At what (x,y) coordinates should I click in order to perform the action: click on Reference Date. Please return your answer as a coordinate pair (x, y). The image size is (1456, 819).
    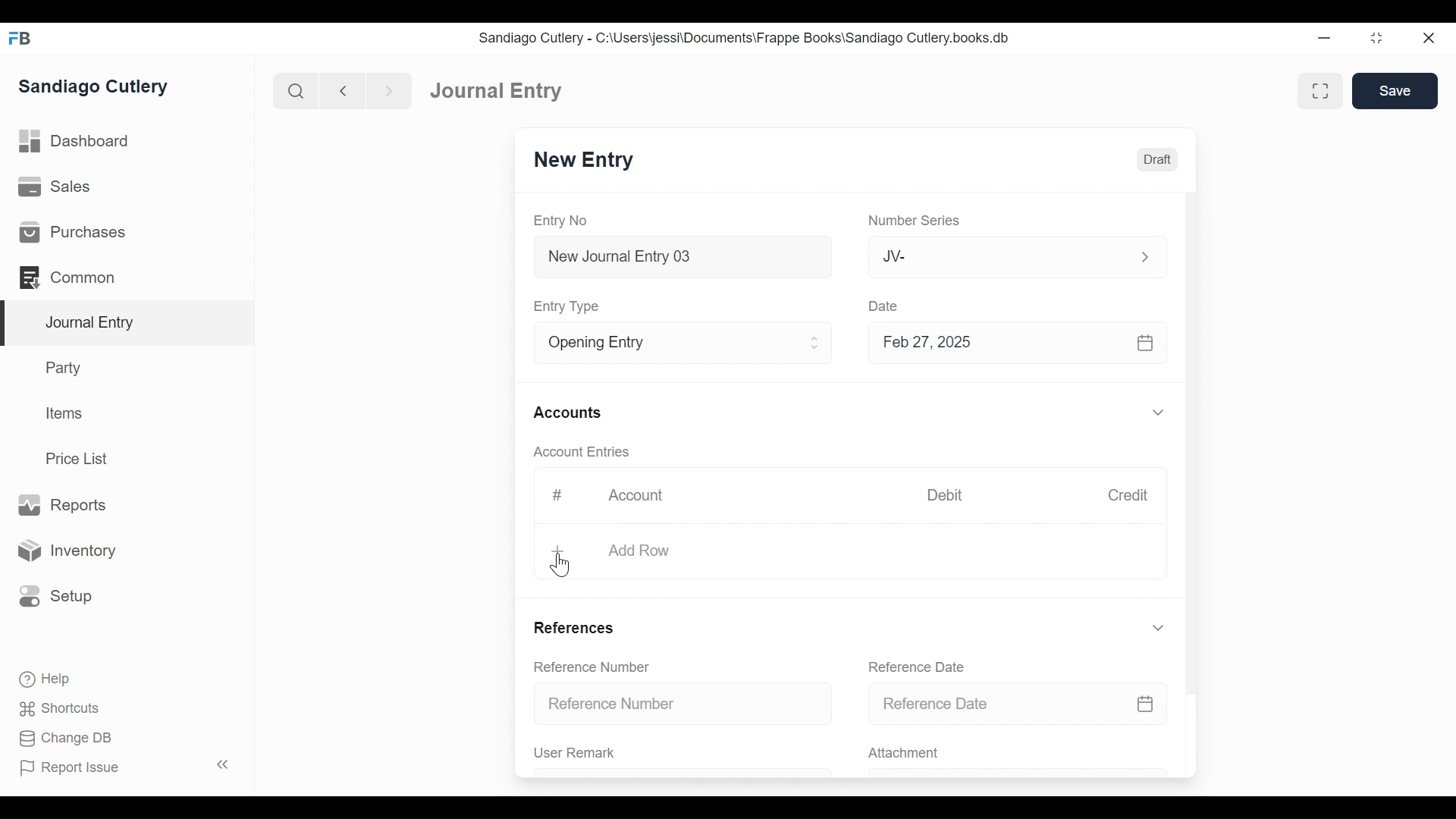
    Looking at the image, I should click on (919, 667).